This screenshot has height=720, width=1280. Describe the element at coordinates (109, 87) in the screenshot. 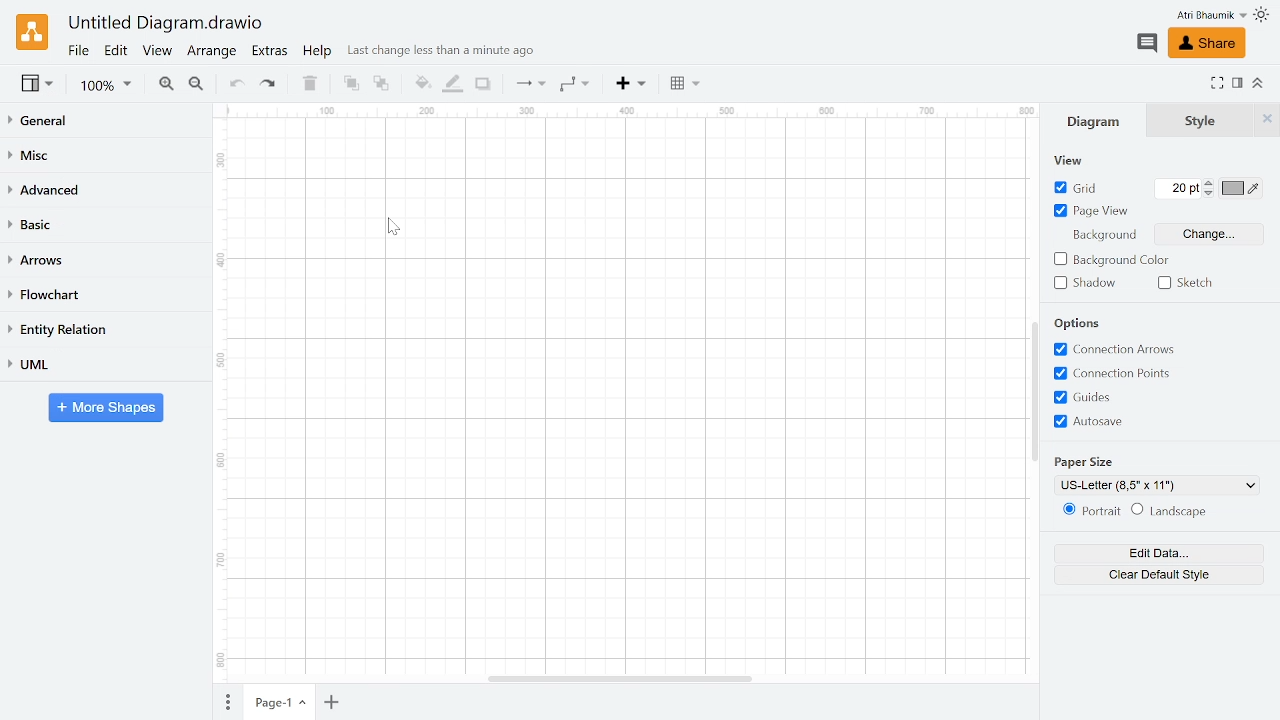

I see `Current zoom` at that location.